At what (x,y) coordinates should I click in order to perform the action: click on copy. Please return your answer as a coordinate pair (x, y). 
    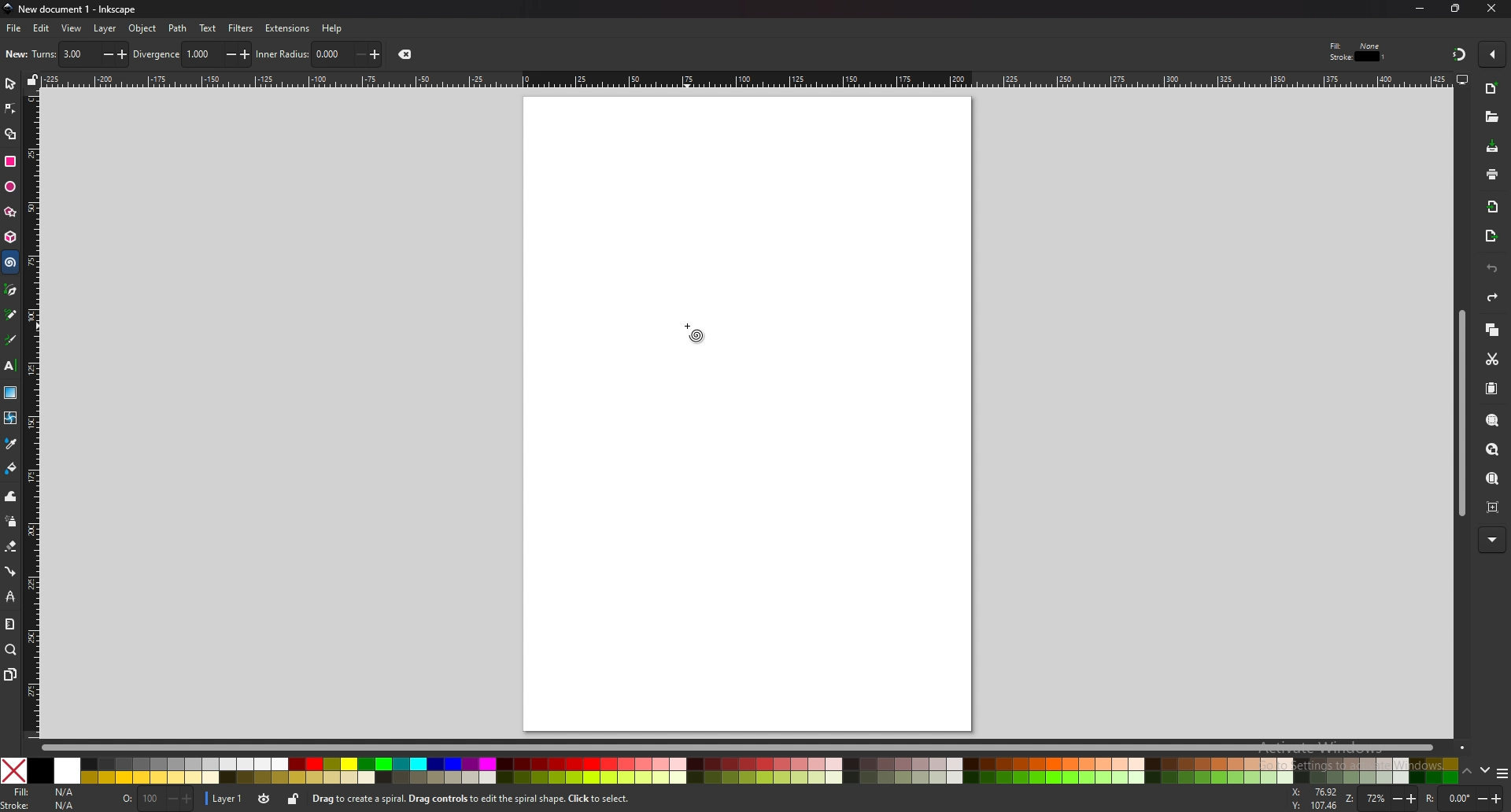
    Looking at the image, I should click on (1492, 329).